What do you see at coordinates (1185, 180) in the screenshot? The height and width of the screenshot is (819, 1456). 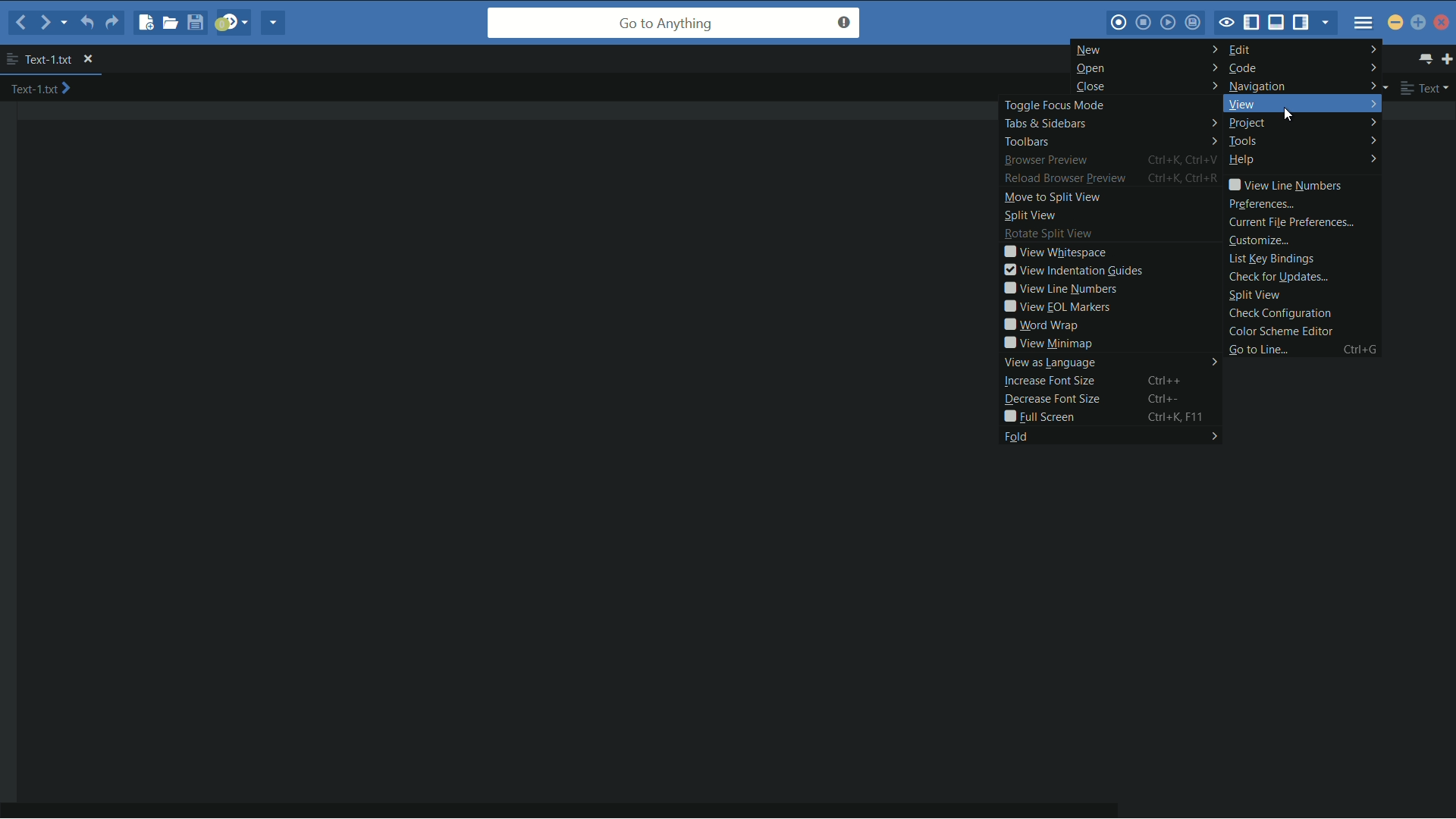 I see `Ctrl+K, Ctrl+R` at bounding box center [1185, 180].